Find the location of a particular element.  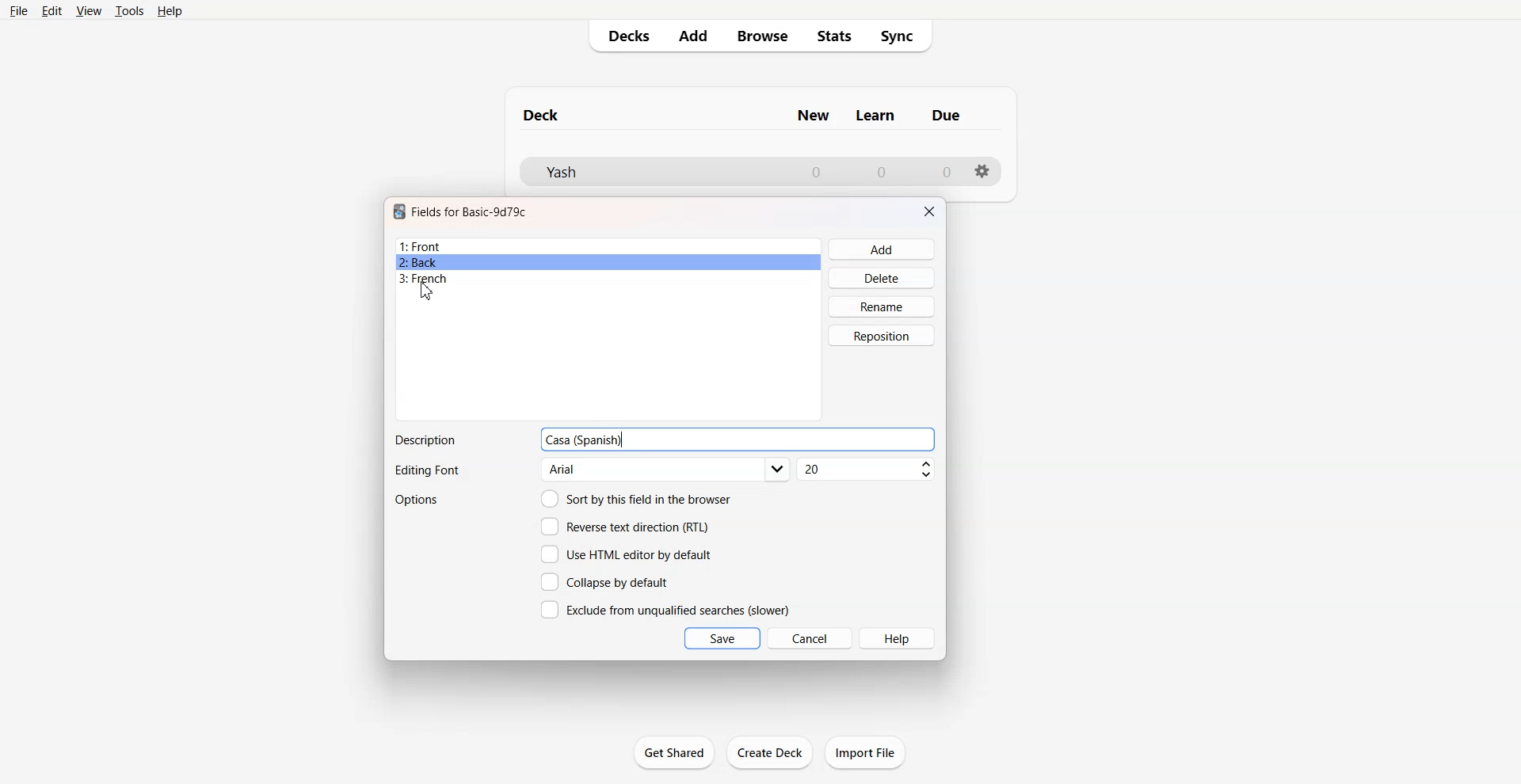

Collapse by default is located at coordinates (608, 581).